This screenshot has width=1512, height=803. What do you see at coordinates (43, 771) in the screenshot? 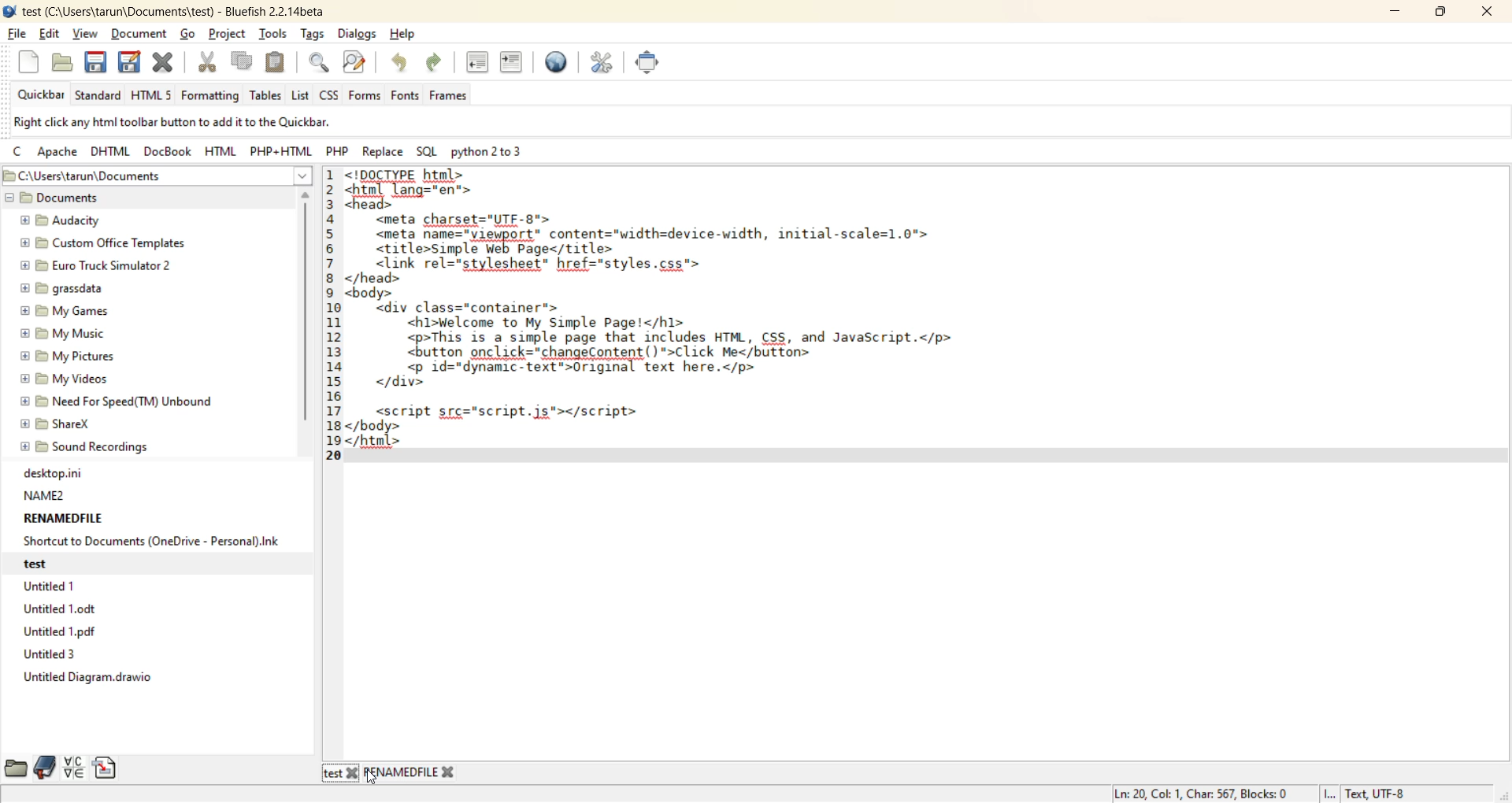
I see `bookmarks` at bounding box center [43, 771].